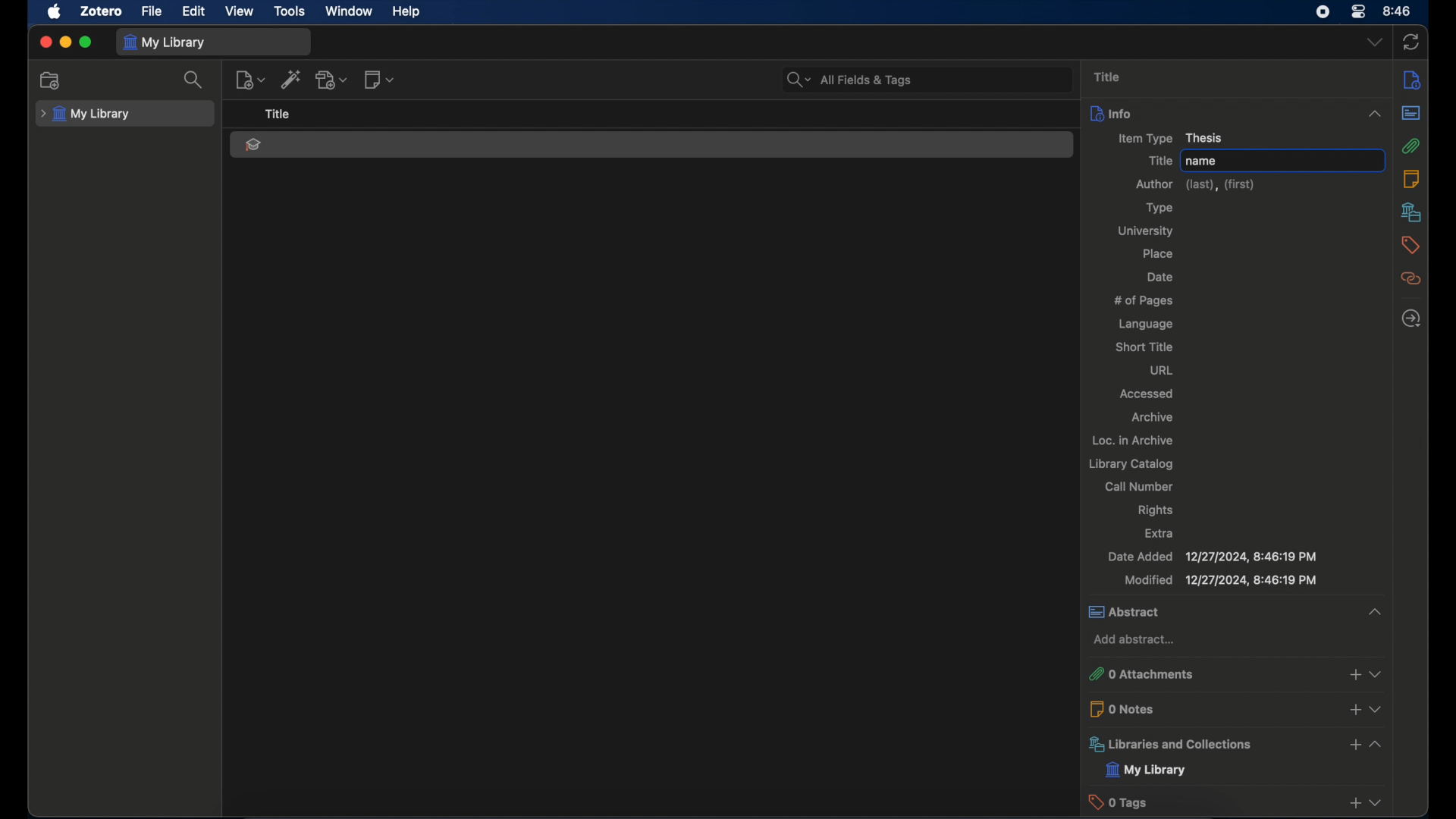 The height and width of the screenshot is (819, 1456). I want to click on url, so click(1161, 371).